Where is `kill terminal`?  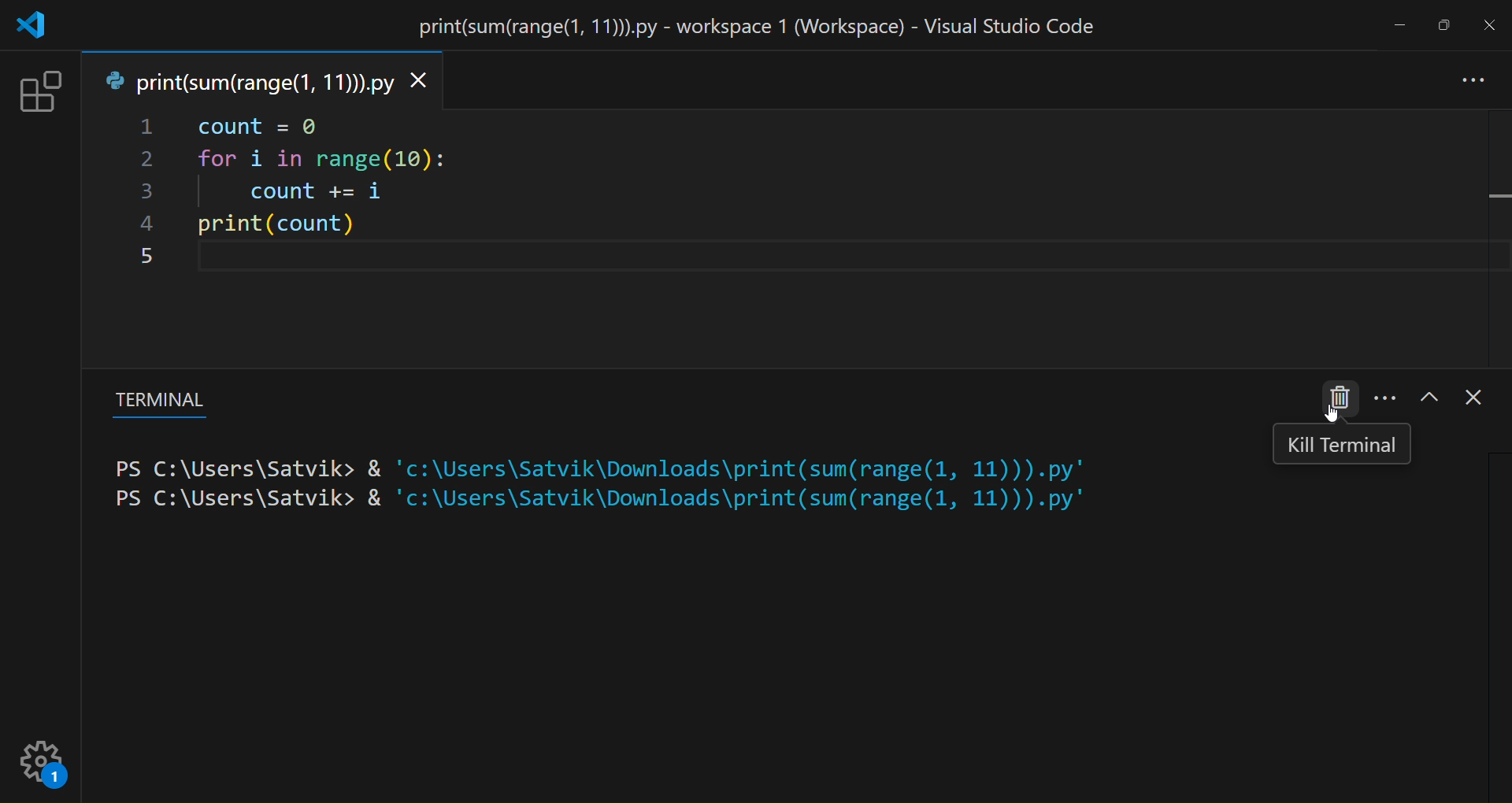 kill terminal is located at coordinates (1340, 398).